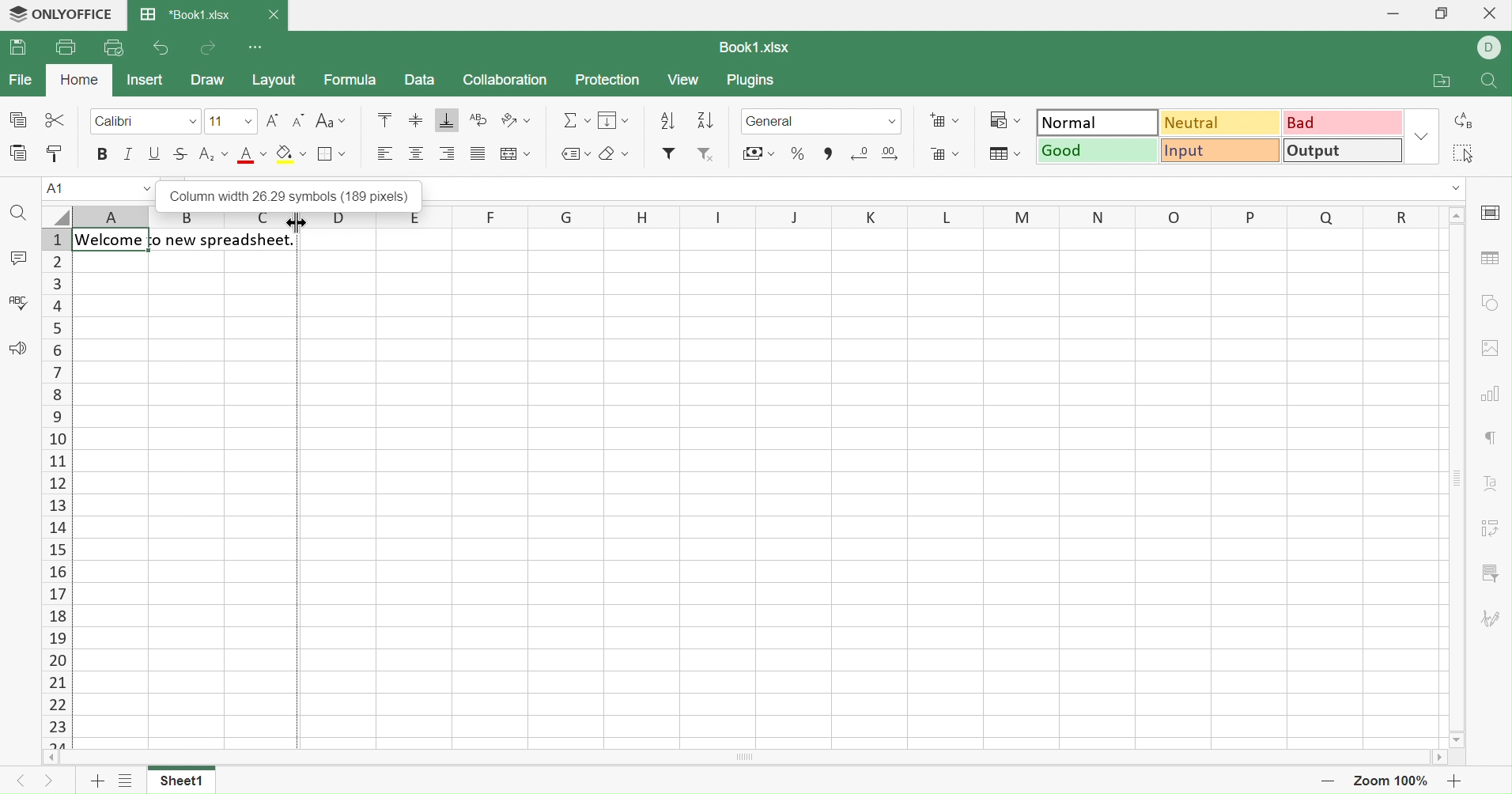 Image resolution: width=1512 pixels, height=794 pixels. I want to click on DELL, so click(1490, 47).